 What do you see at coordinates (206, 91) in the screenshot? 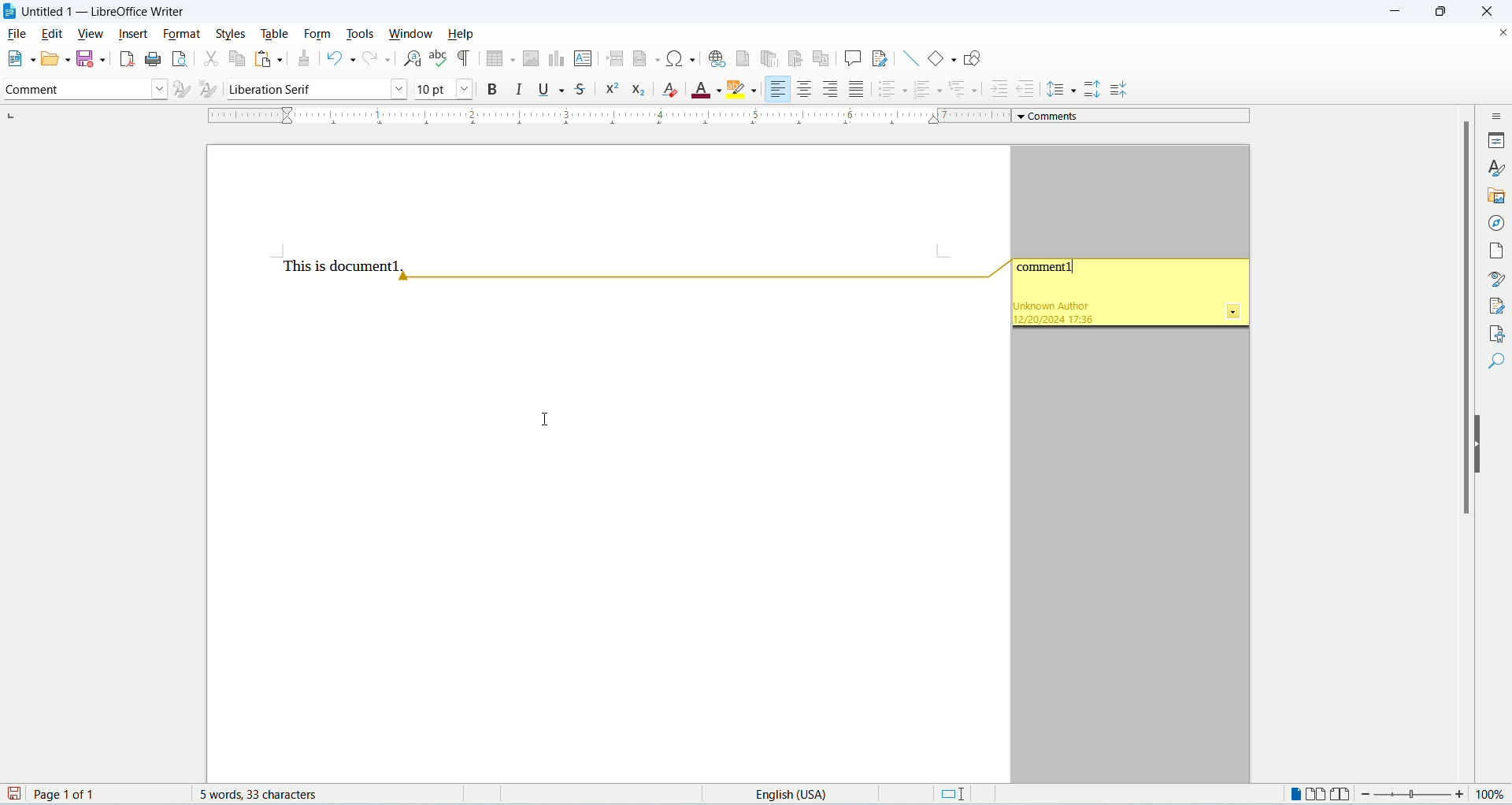
I see `select new style` at bounding box center [206, 91].